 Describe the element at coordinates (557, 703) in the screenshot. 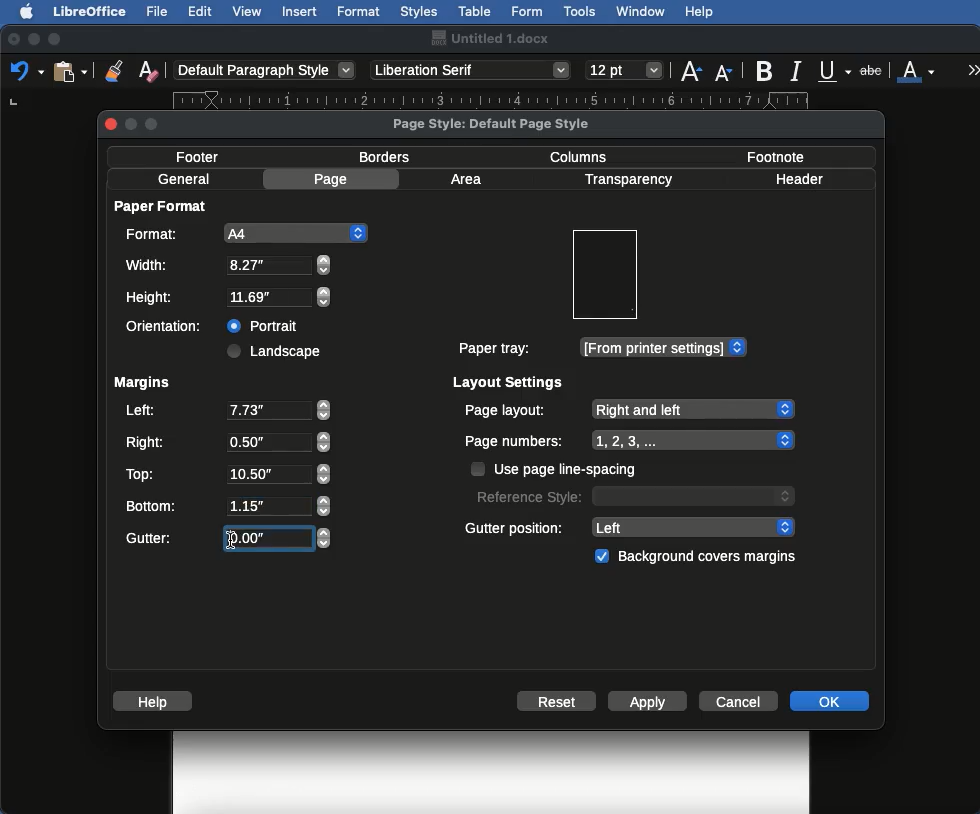

I see `Reset` at that location.